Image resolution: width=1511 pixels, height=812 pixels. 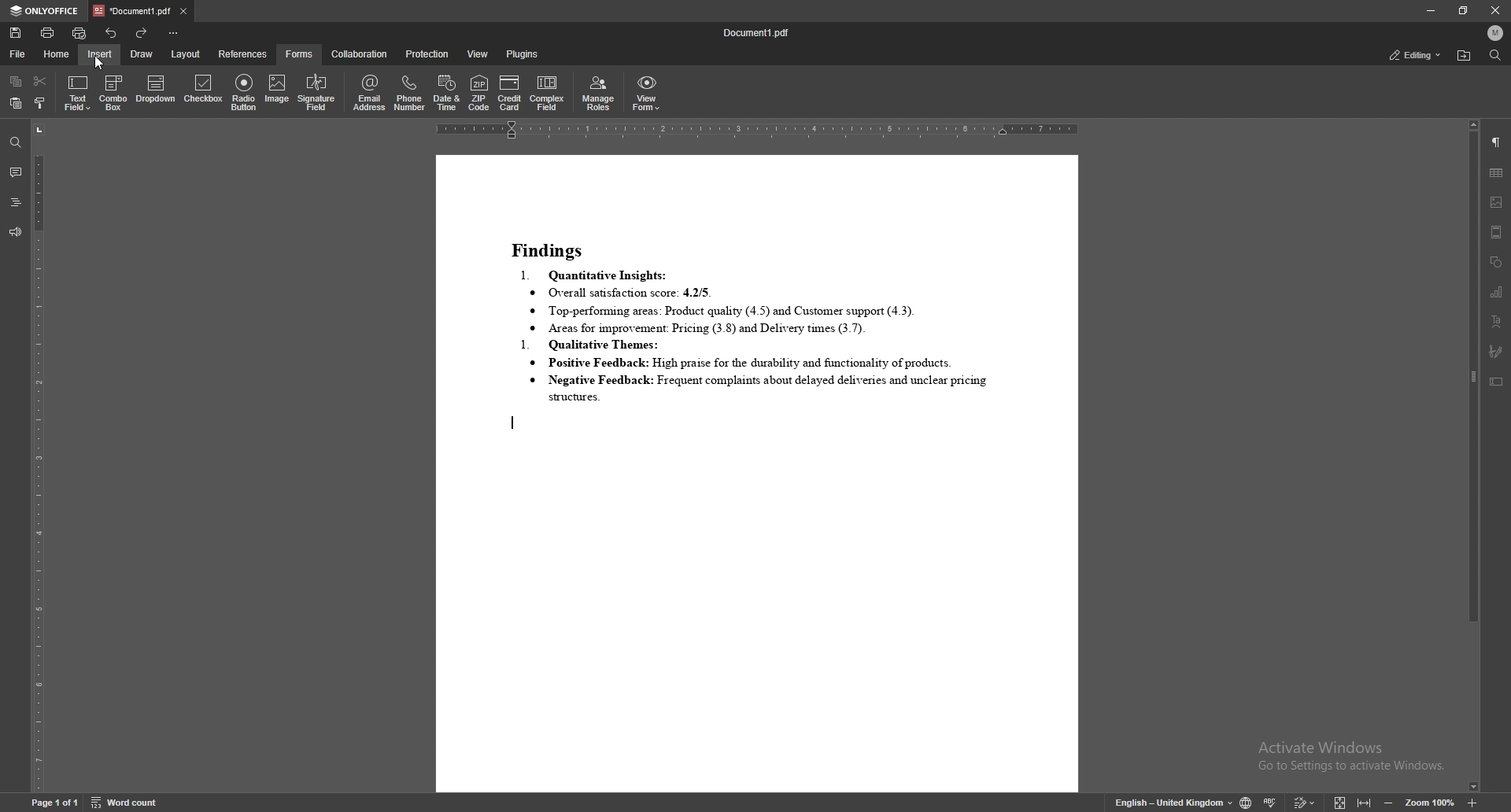 What do you see at coordinates (1497, 232) in the screenshot?
I see `header and footer` at bounding box center [1497, 232].